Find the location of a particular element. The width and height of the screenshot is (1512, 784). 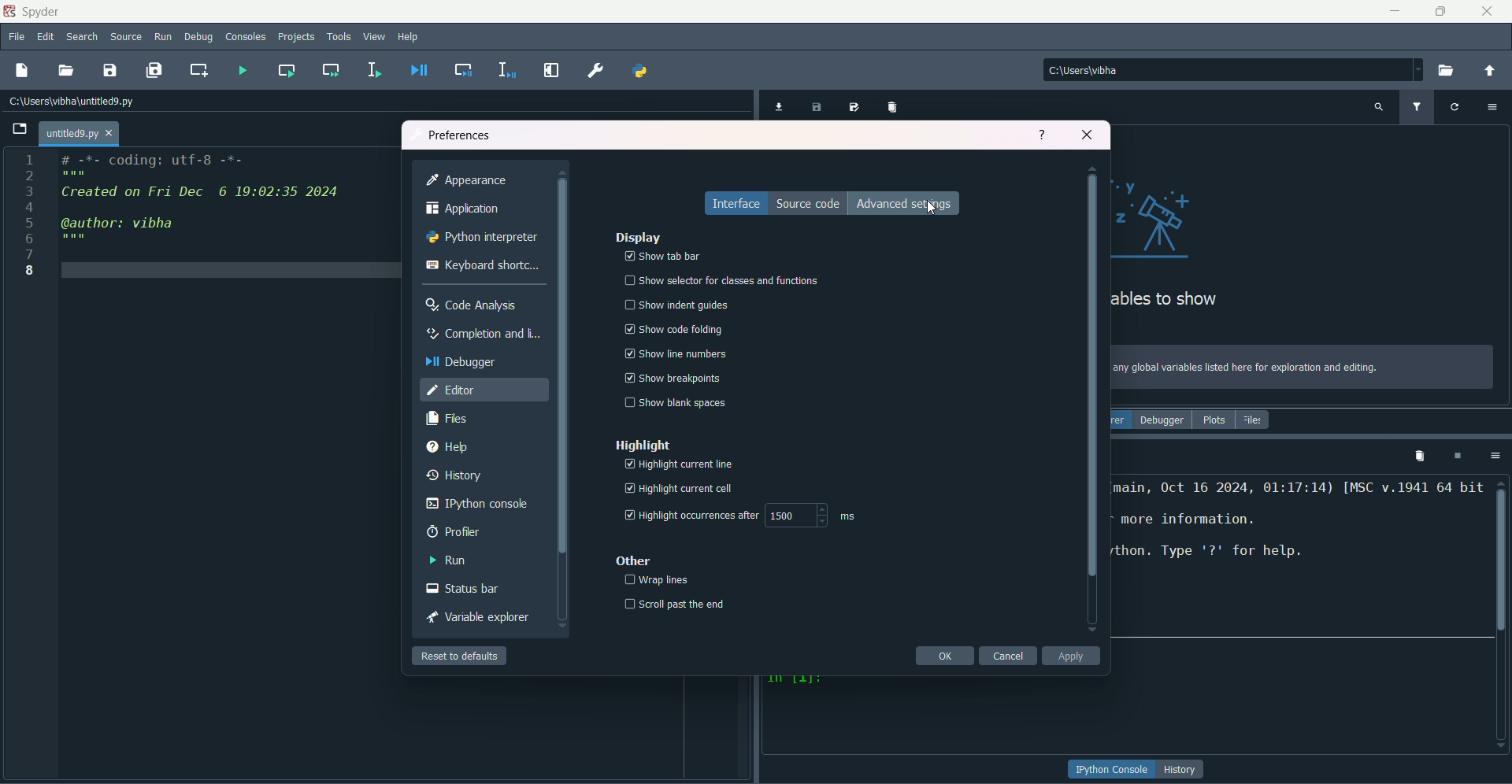

help is located at coordinates (409, 38).